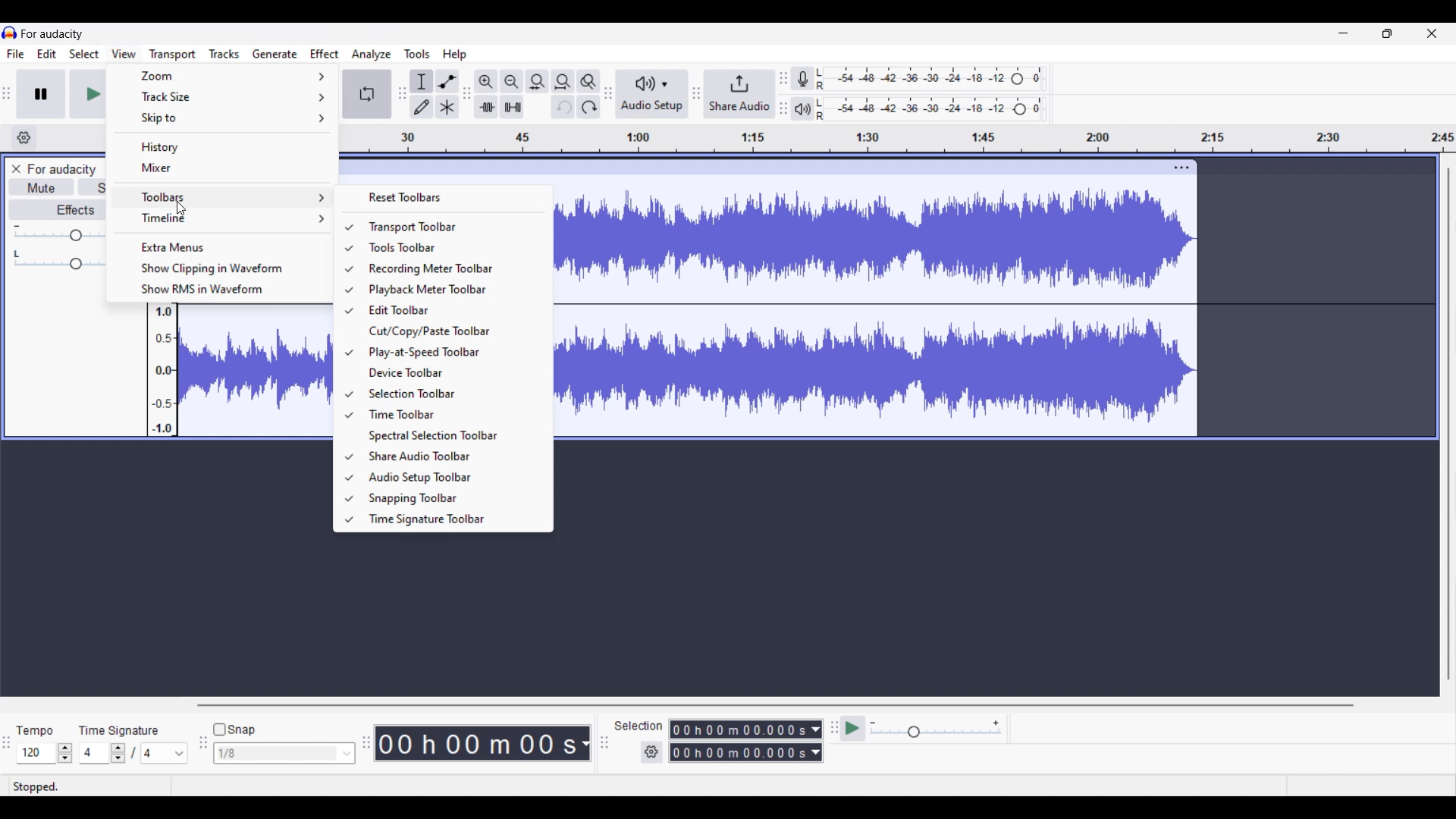  What do you see at coordinates (651, 752) in the screenshot?
I see `Selection settings` at bounding box center [651, 752].